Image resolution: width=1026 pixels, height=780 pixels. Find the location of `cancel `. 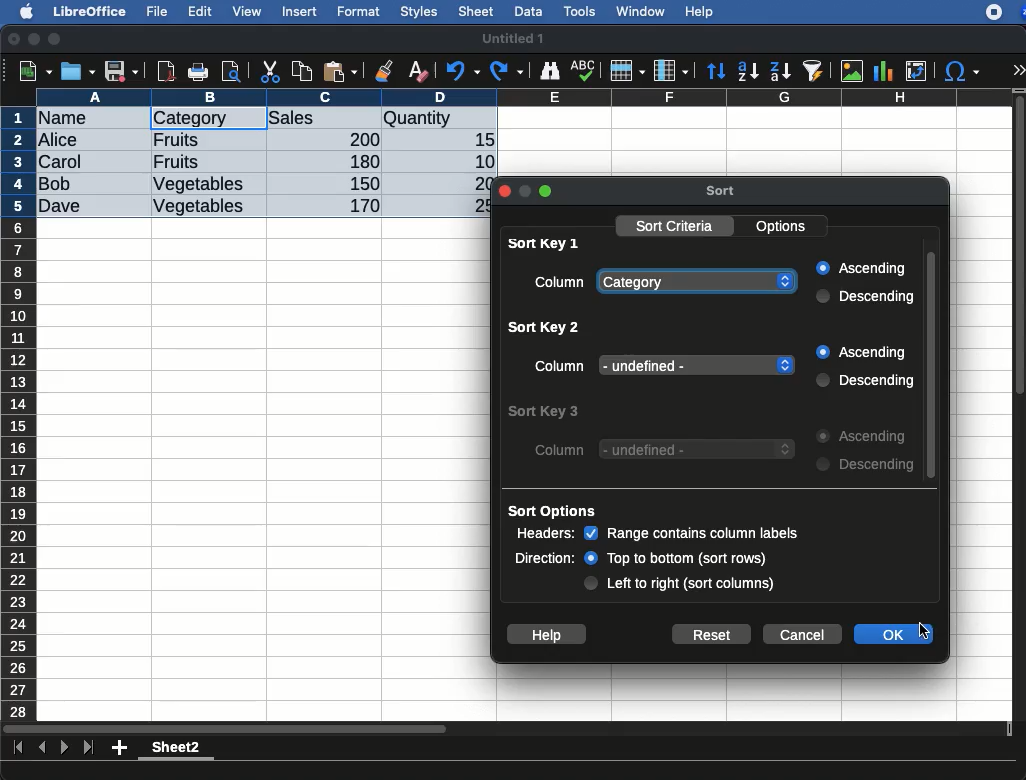

cancel  is located at coordinates (801, 634).